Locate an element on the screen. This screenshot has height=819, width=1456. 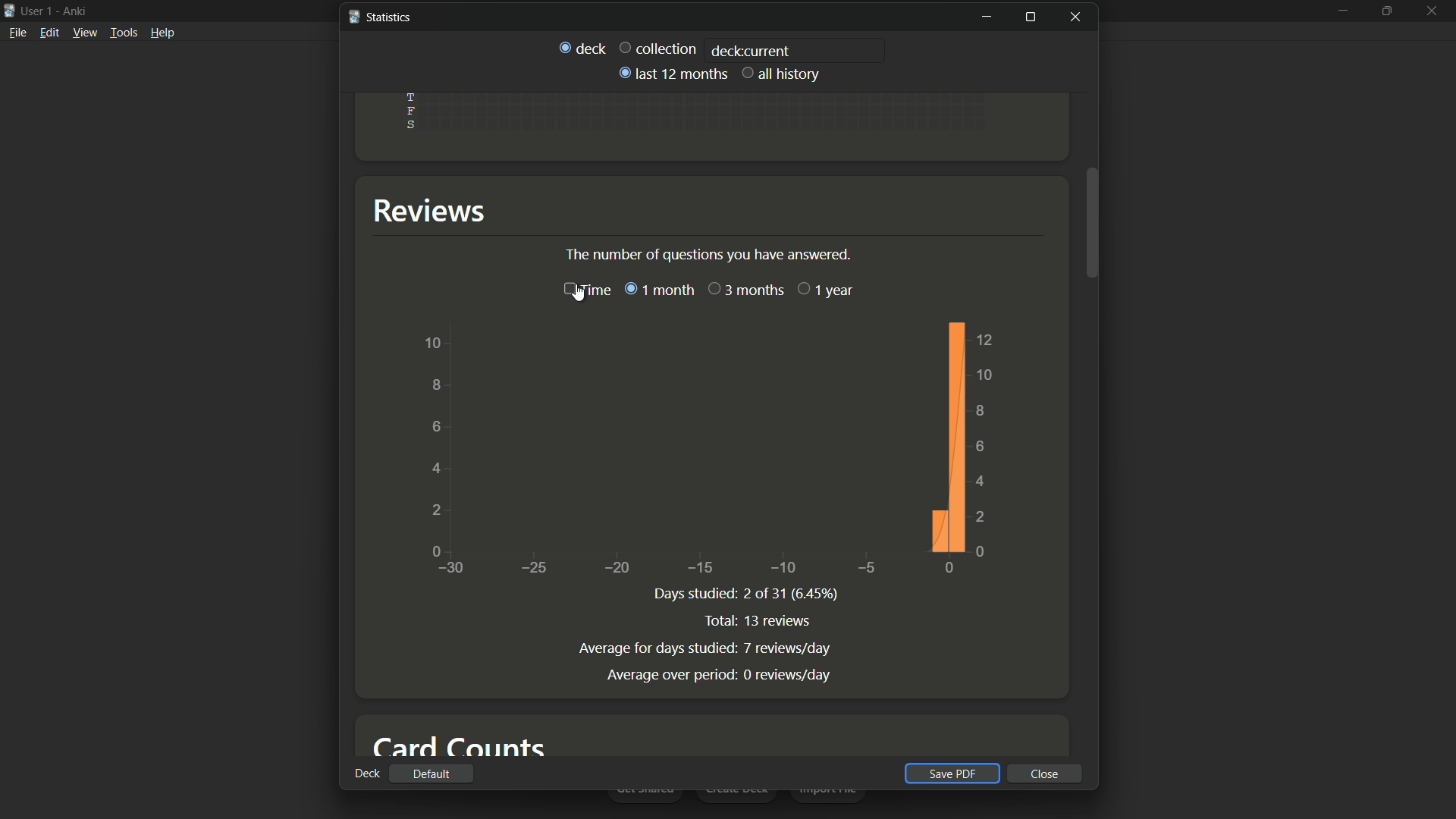
help menu is located at coordinates (163, 32).